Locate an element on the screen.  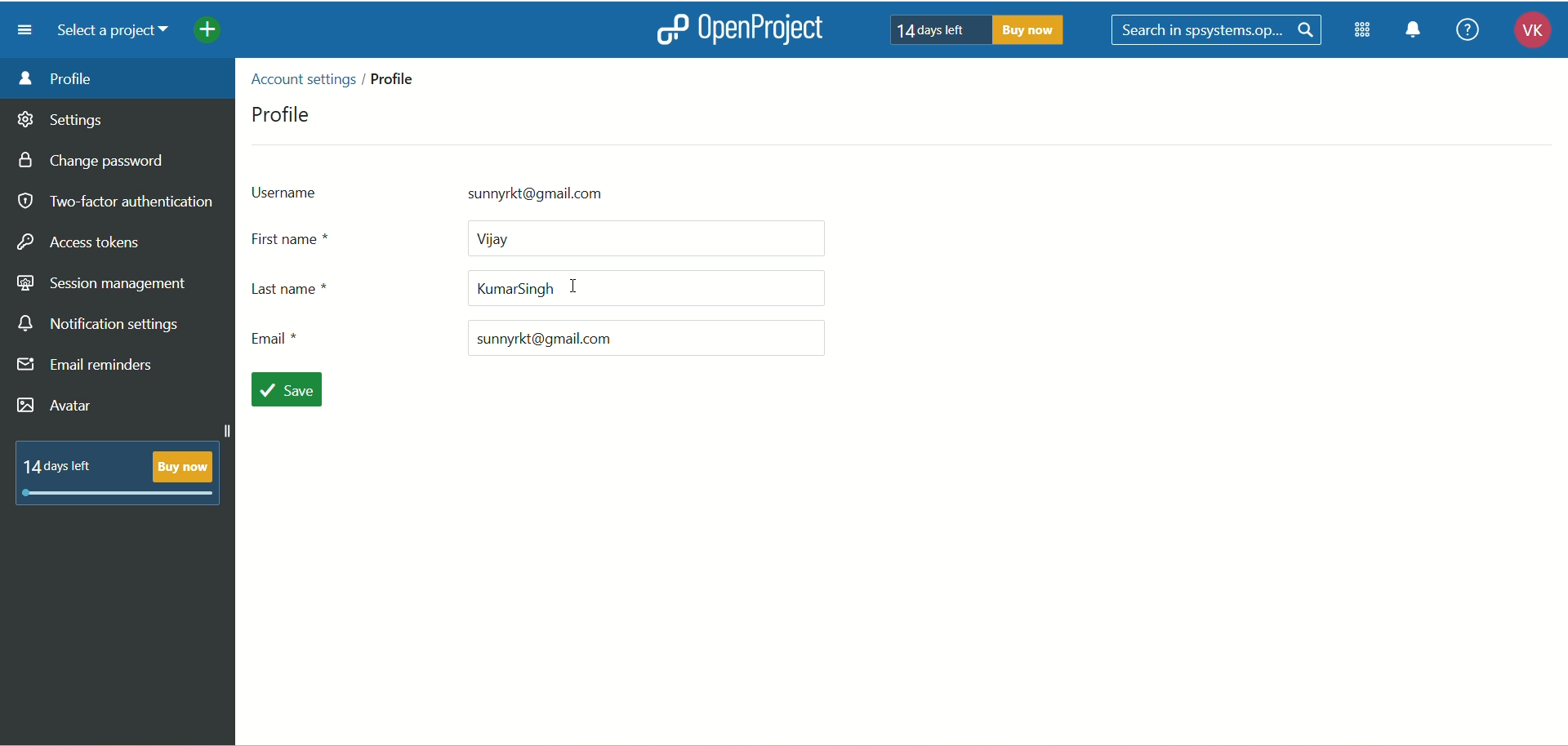
avatar is located at coordinates (56, 406).